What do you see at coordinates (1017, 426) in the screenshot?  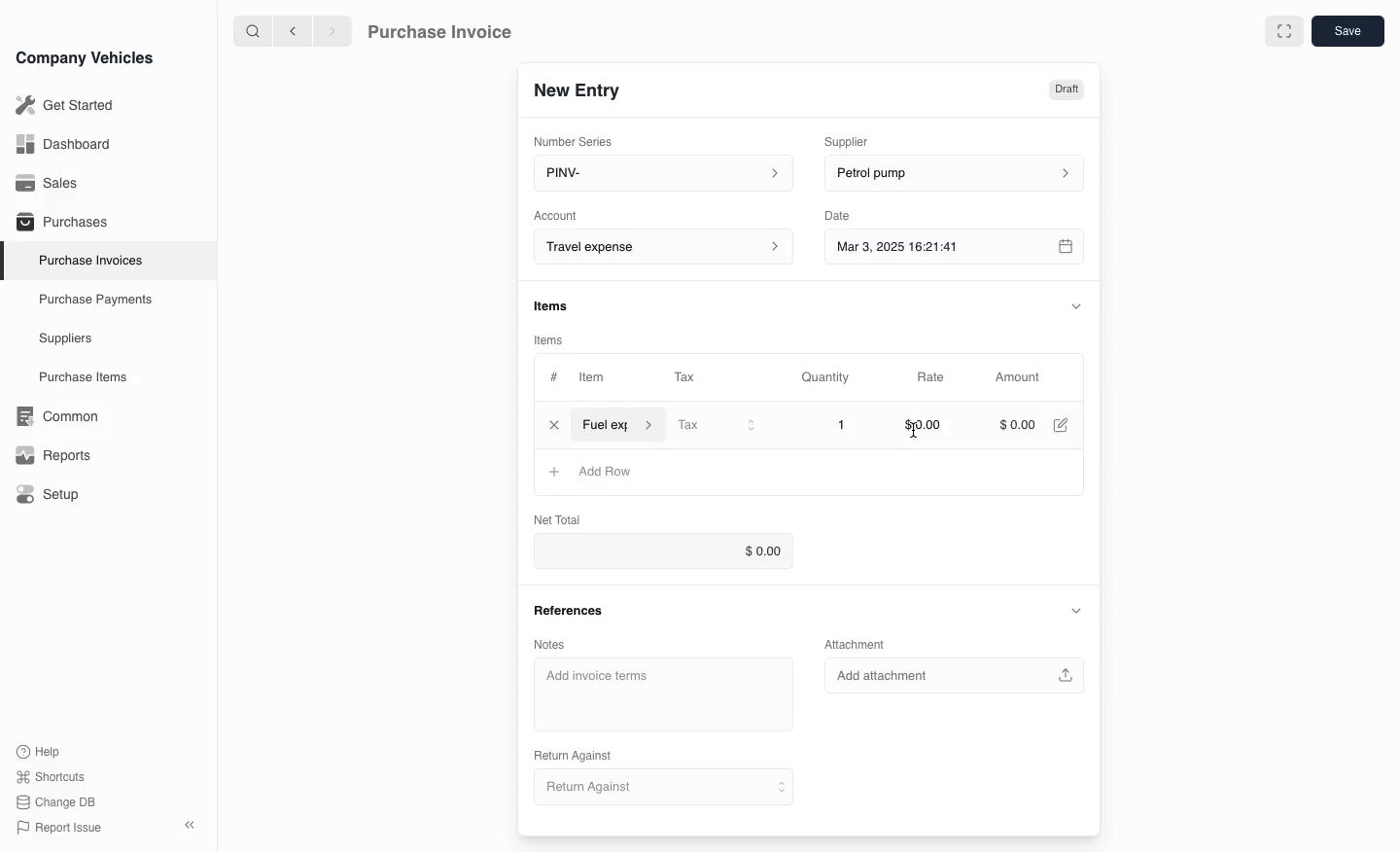 I see `$000` at bounding box center [1017, 426].